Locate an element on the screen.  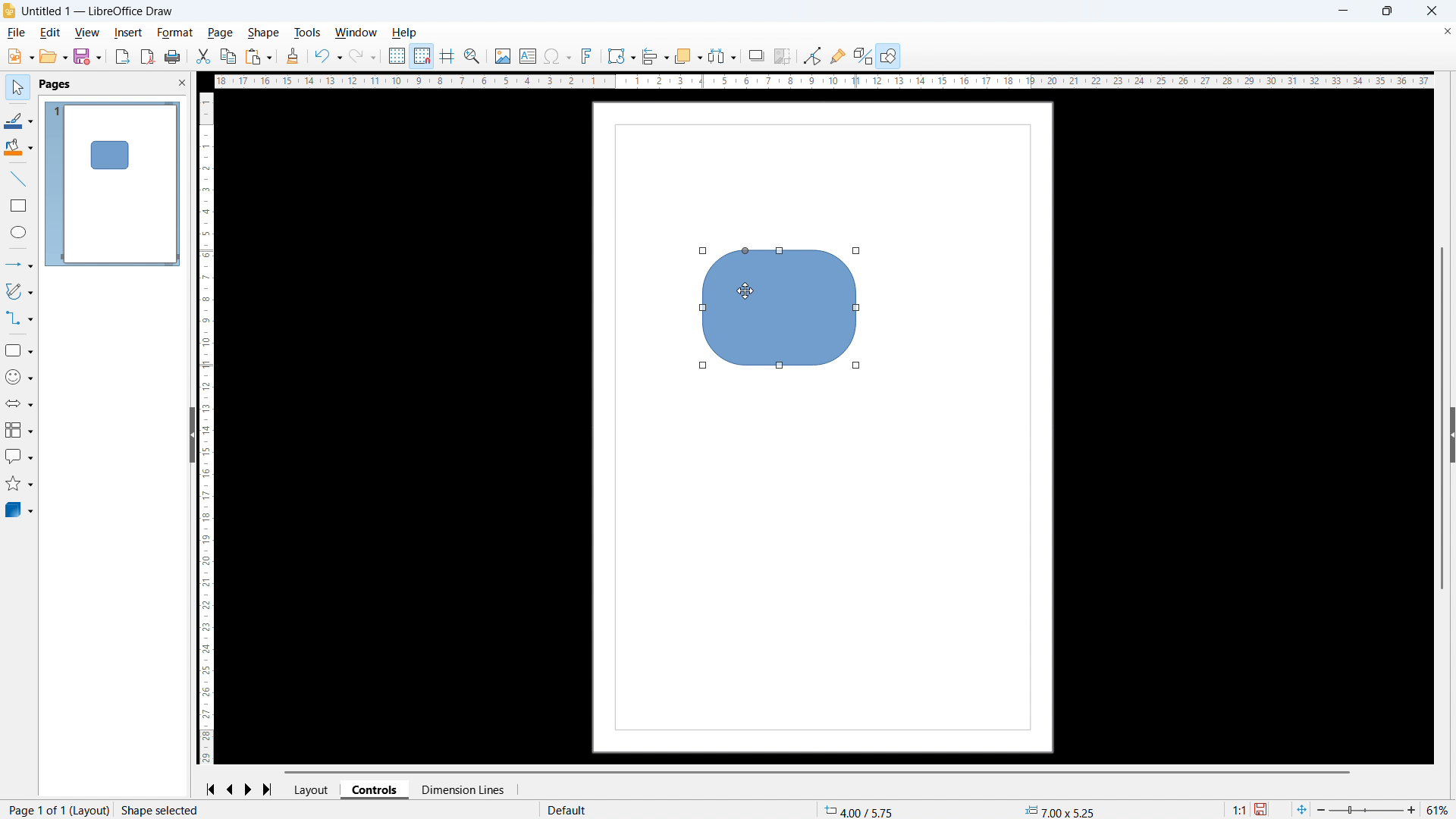
Stars and banners  is located at coordinates (20, 484).